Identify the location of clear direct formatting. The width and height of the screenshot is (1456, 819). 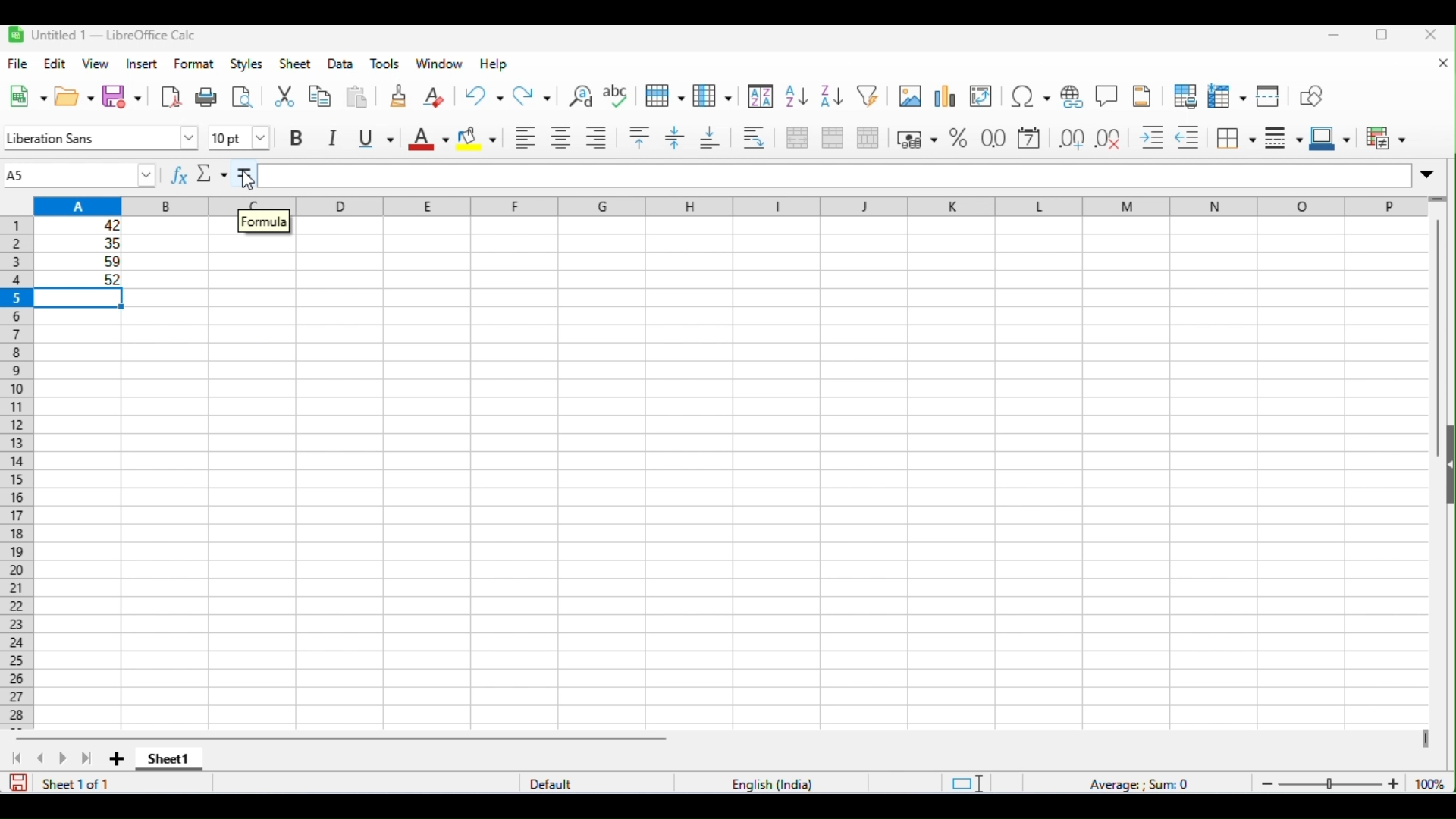
(433, 97).